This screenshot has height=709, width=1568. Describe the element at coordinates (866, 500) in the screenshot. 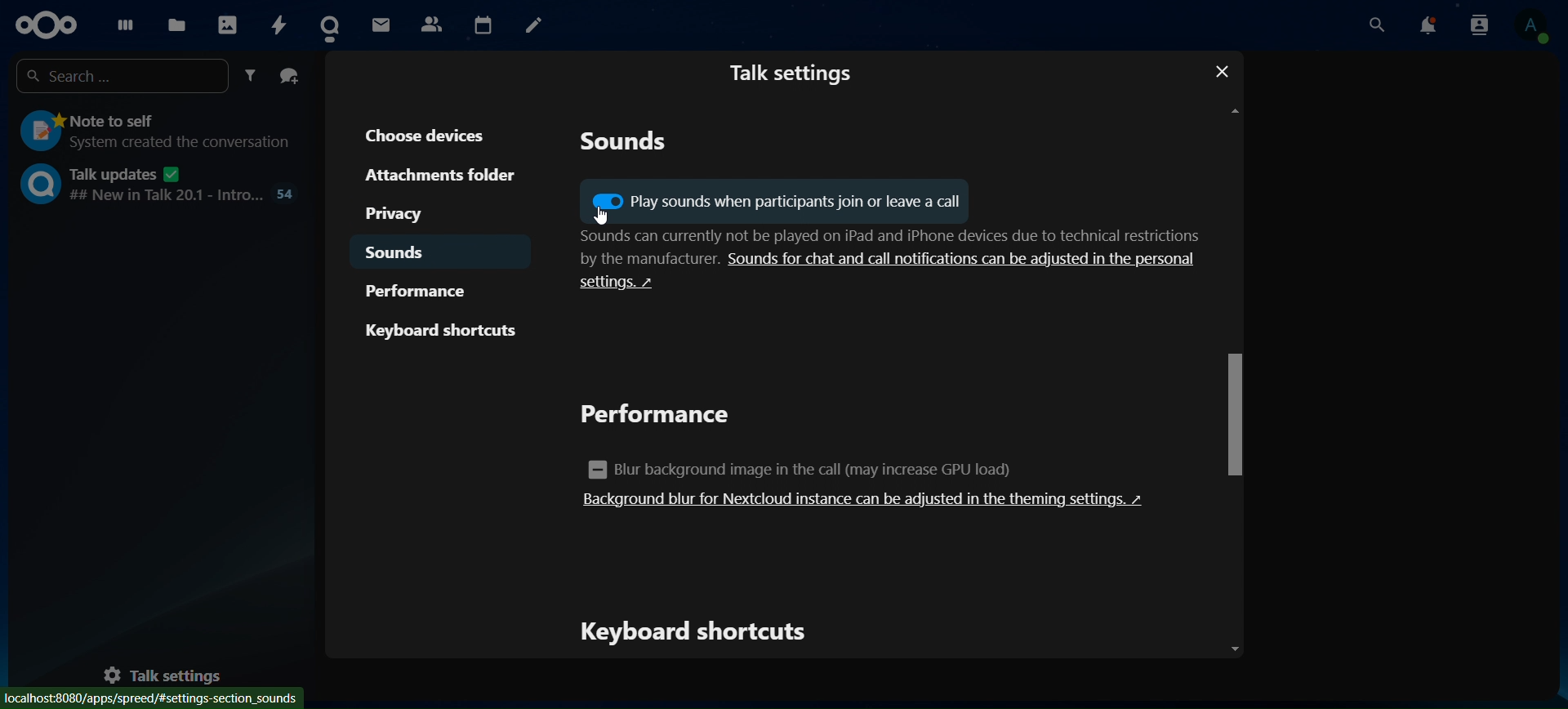

I see `Background blur for nextcloud instance can be adjusted in the theming settings.` at that location.